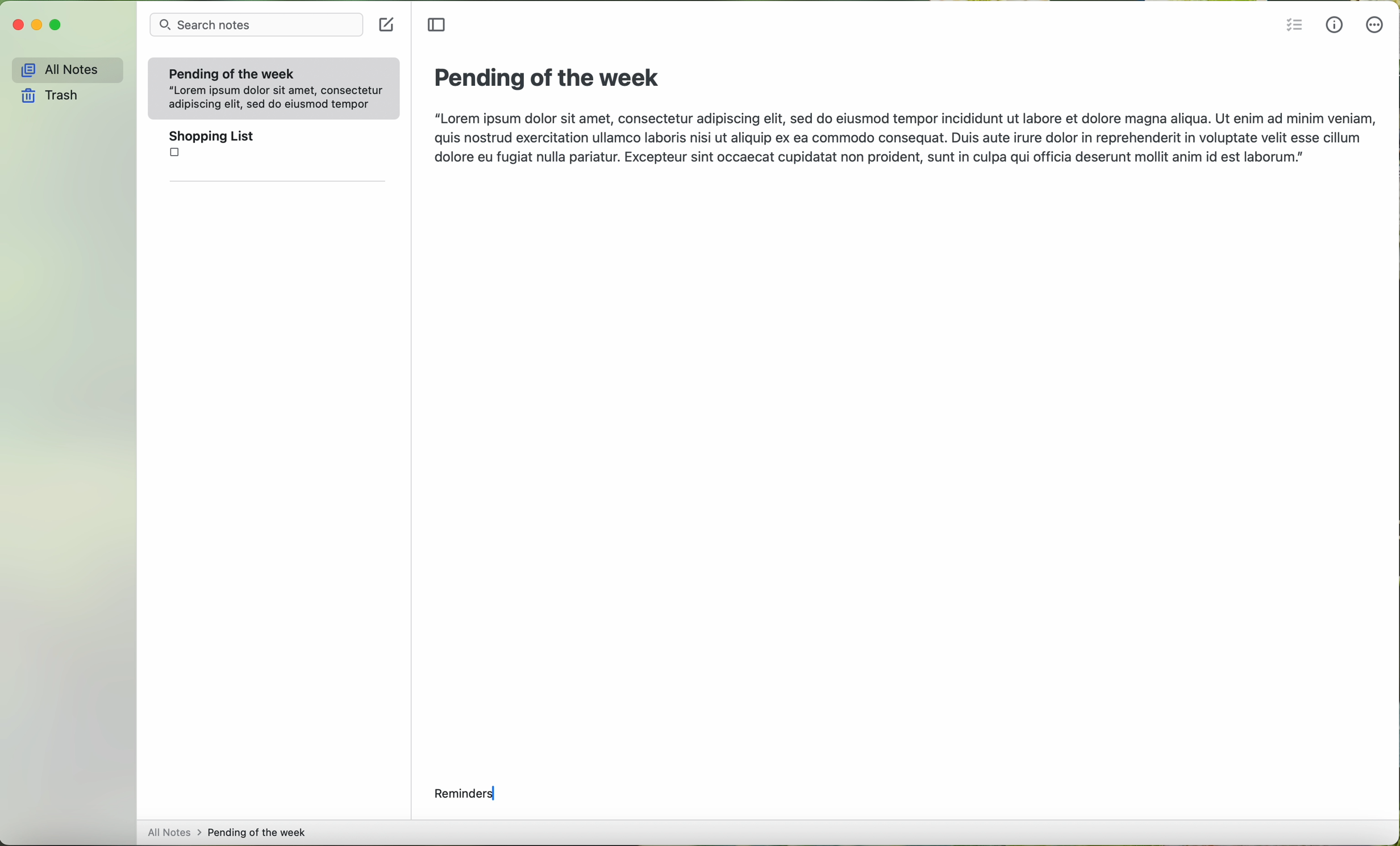 This screenshot has width=1400, height=846. What do you see at coordinates (436, 26) in the screenshot?
I see `toggle sidebar` at bounding box center [436, 26].